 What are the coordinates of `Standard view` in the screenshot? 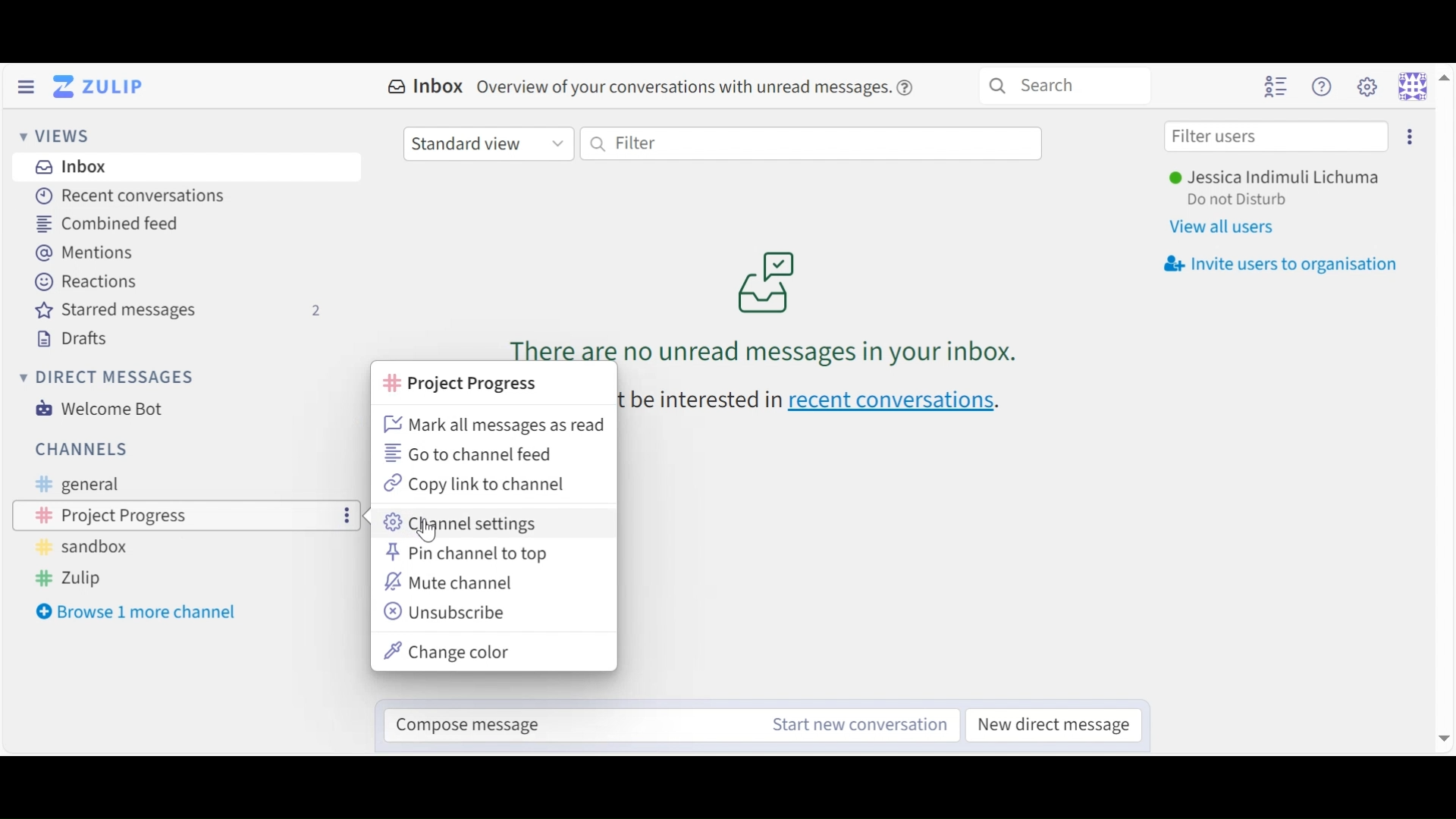 It's located at (489, 144).